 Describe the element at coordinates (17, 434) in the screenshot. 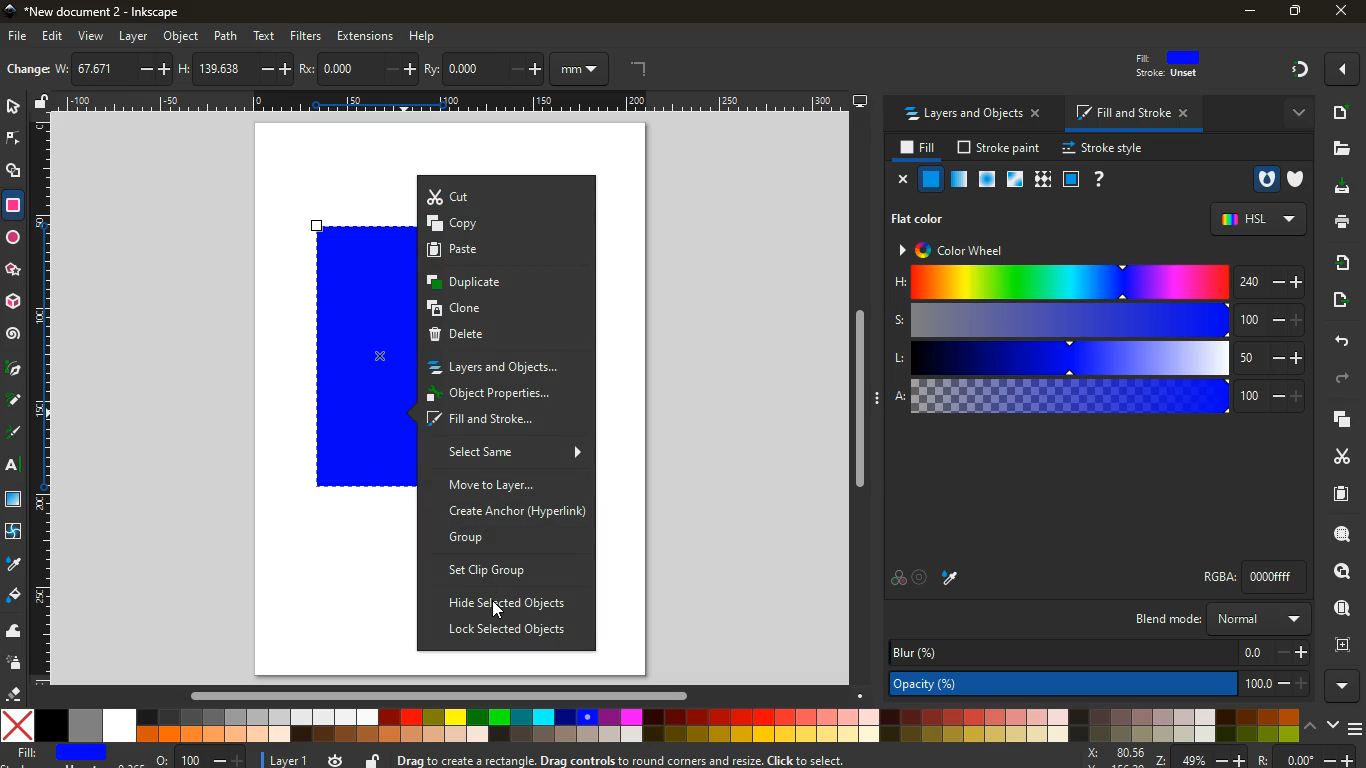

I see `highlight` at that location.